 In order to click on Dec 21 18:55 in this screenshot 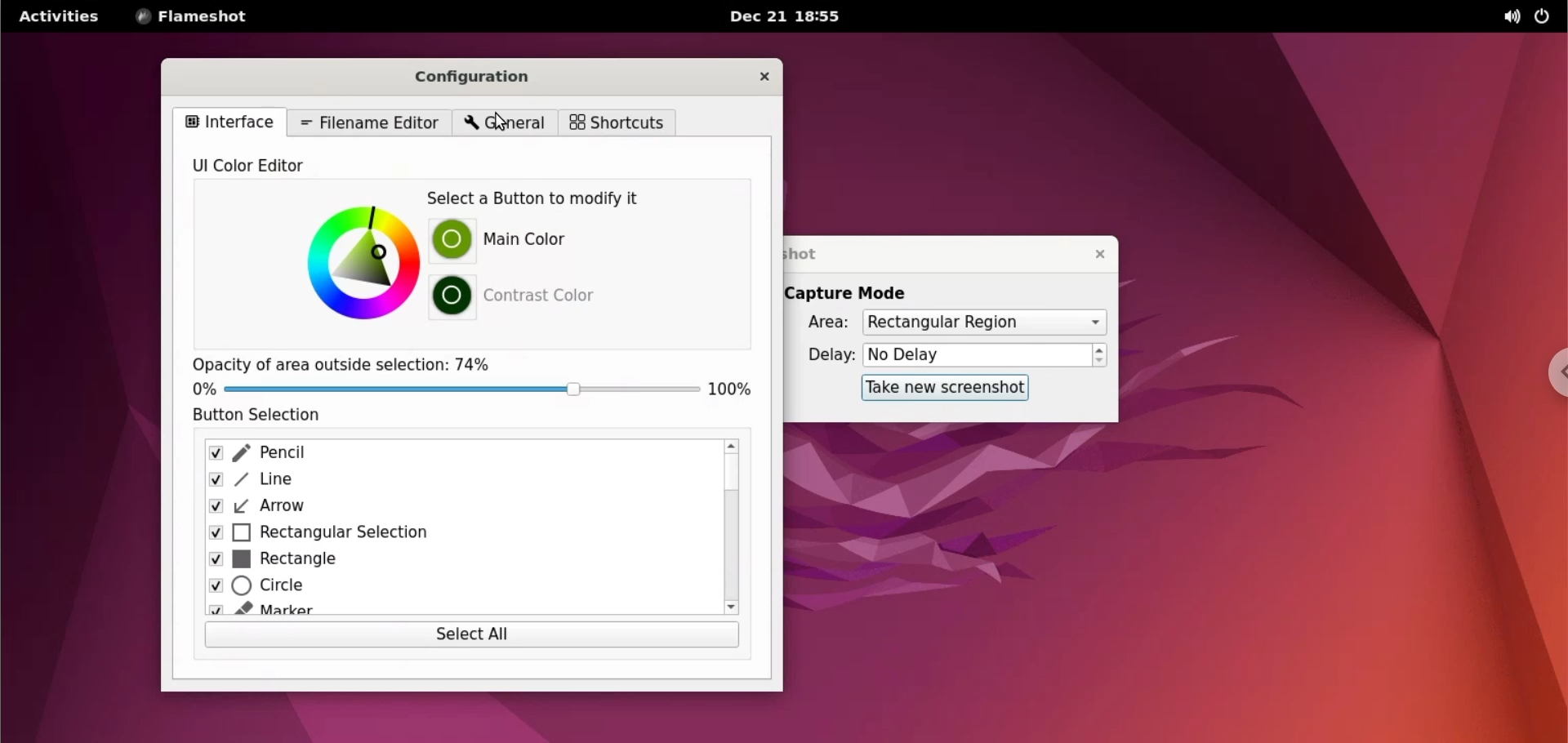, I will do `click(787, 17)`.